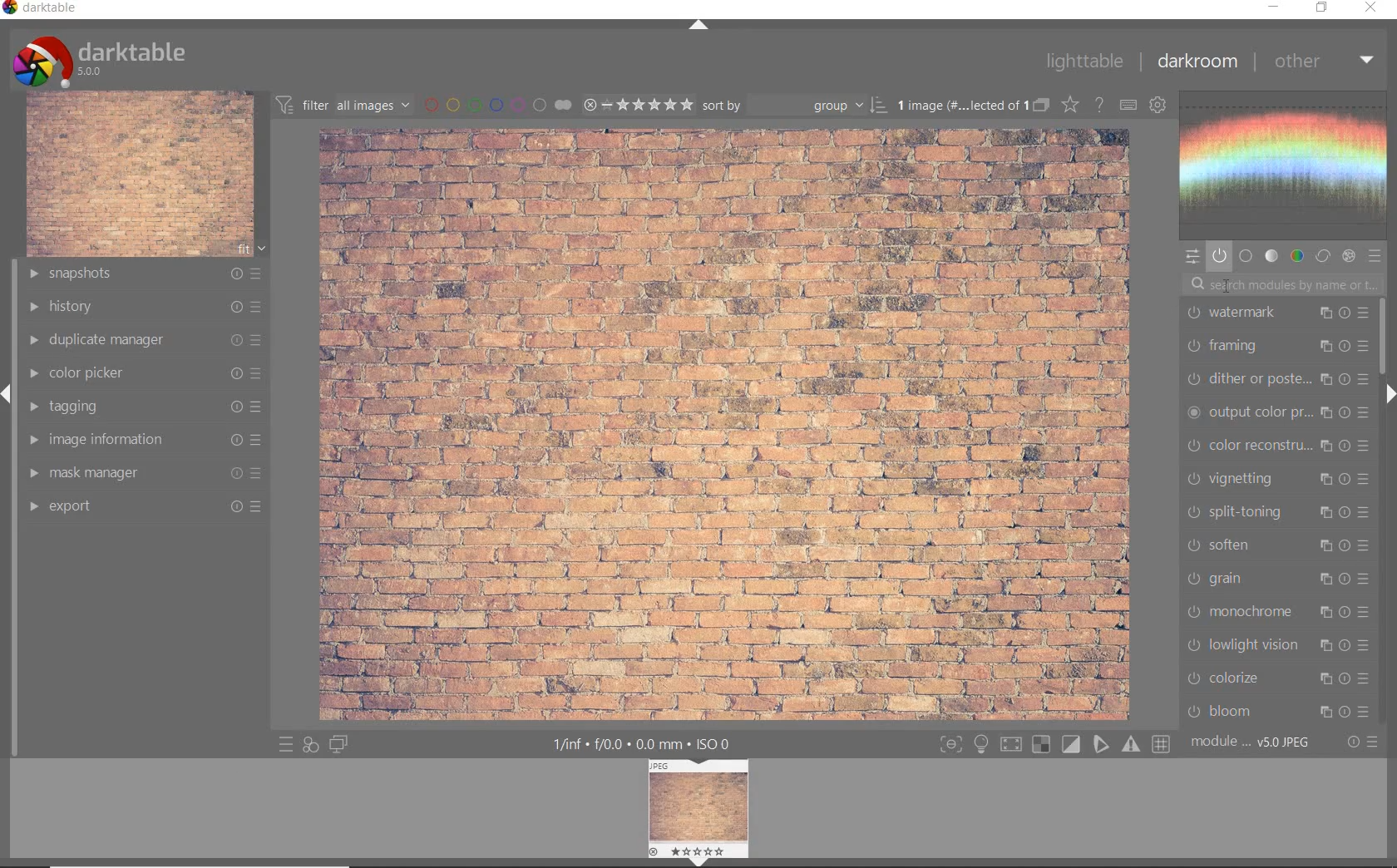  What do you see at coordinates (1276, 678) in the screenshot?
I see `colorize` at bounding box center [1276, 678].